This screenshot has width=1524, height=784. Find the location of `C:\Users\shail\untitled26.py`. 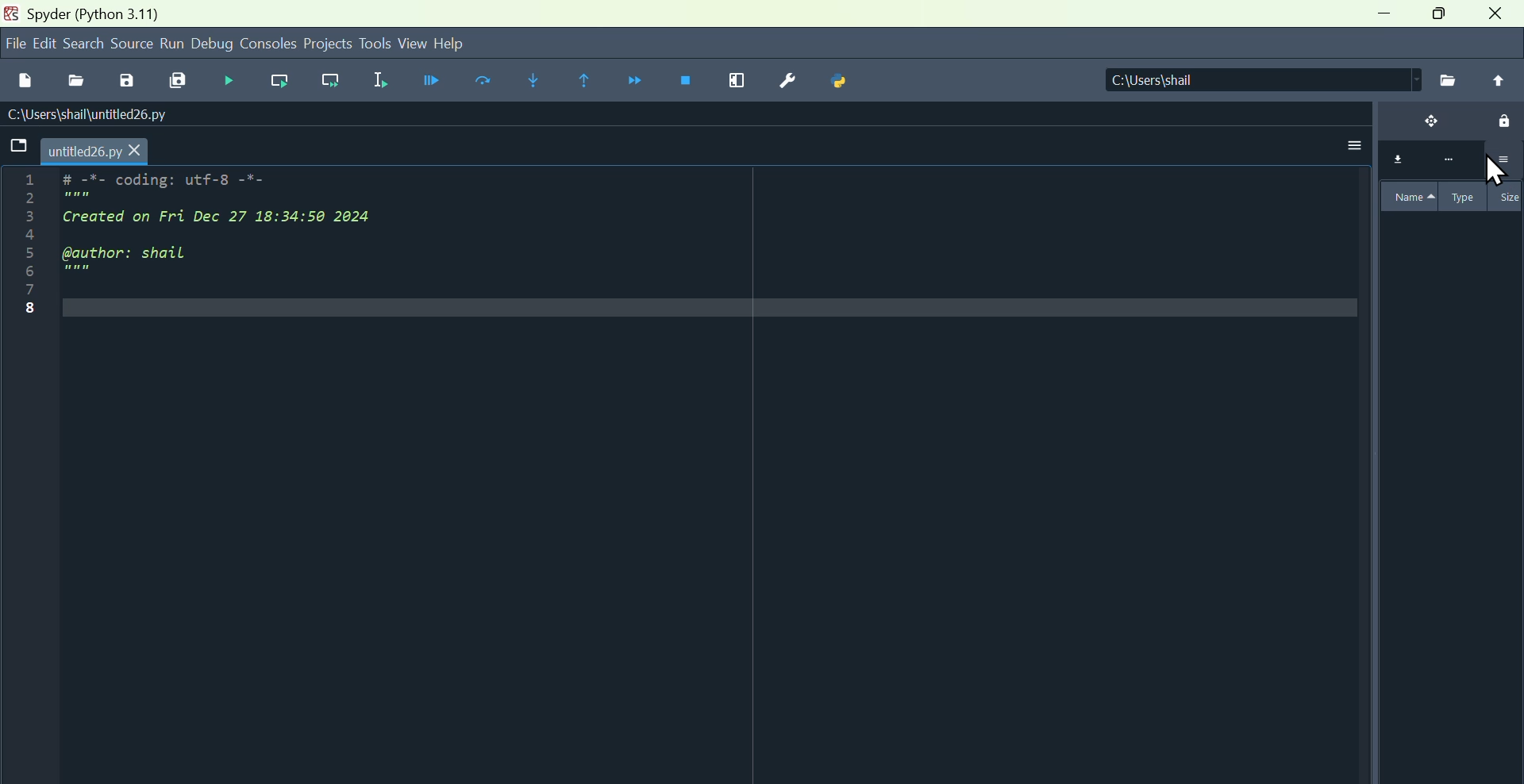

C:\Users\shail\untitled26.py is located at coordinates (125, 114).